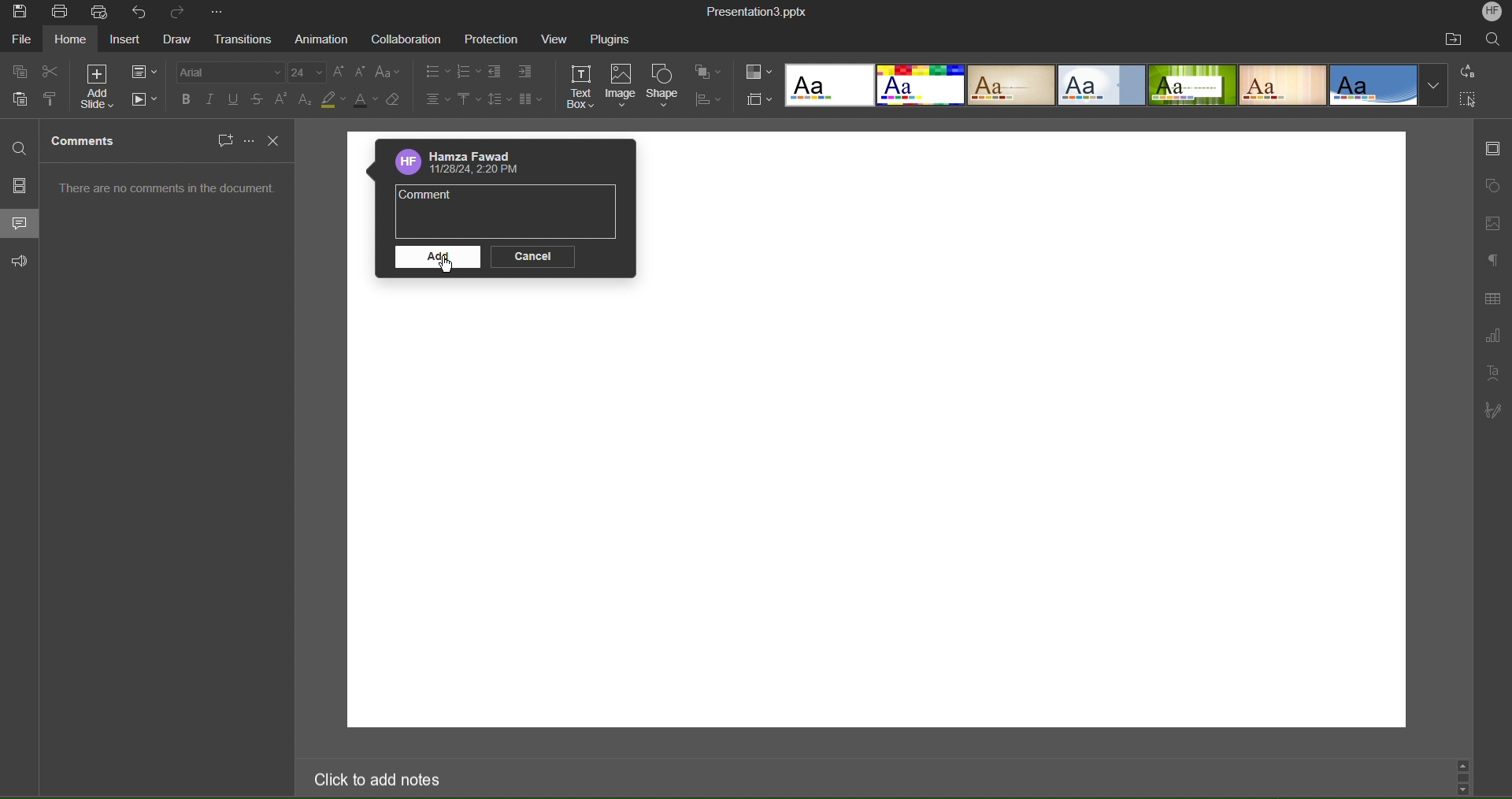 Image resolution: width=1512 pixels, height=799 pixels. What do you see at coordinates (362, 75) in the screenshot?
I see `Decrease Size` at bounding box center [362, 75].